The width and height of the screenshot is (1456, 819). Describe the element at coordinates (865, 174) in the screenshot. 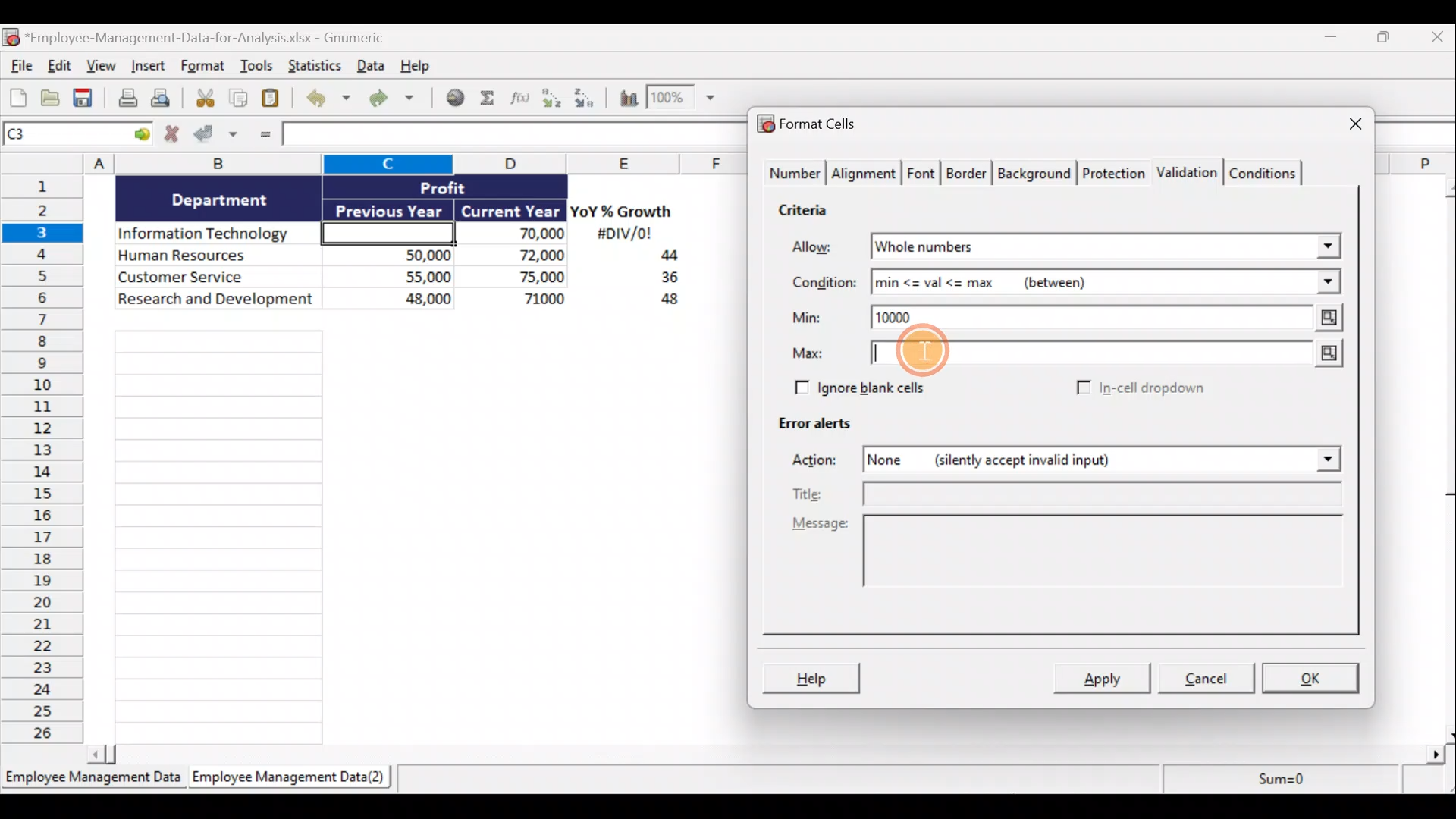

I see `Alignment` at that location.